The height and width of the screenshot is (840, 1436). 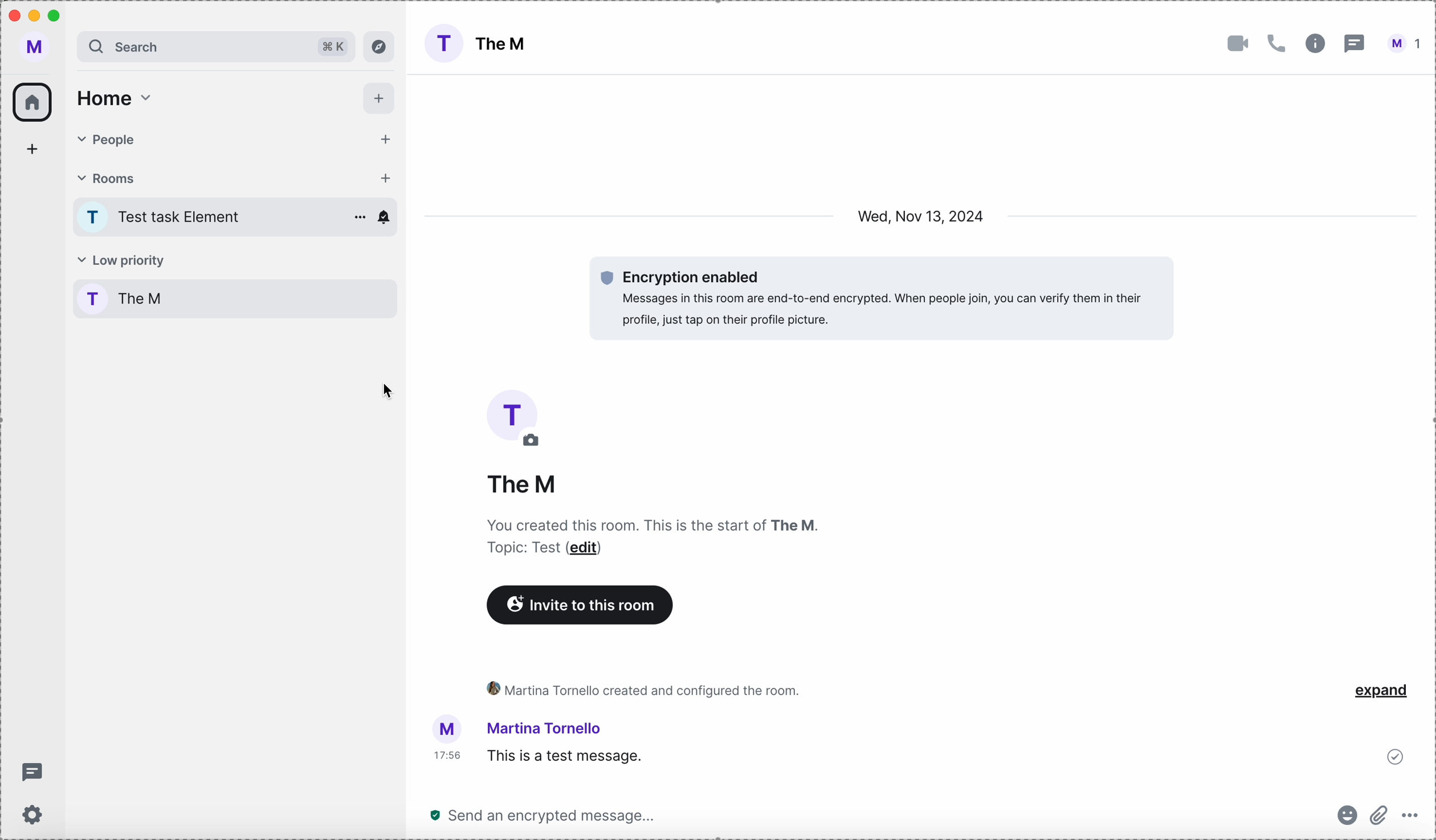 I want to click on The M chat room, so click(x=258, y=303).